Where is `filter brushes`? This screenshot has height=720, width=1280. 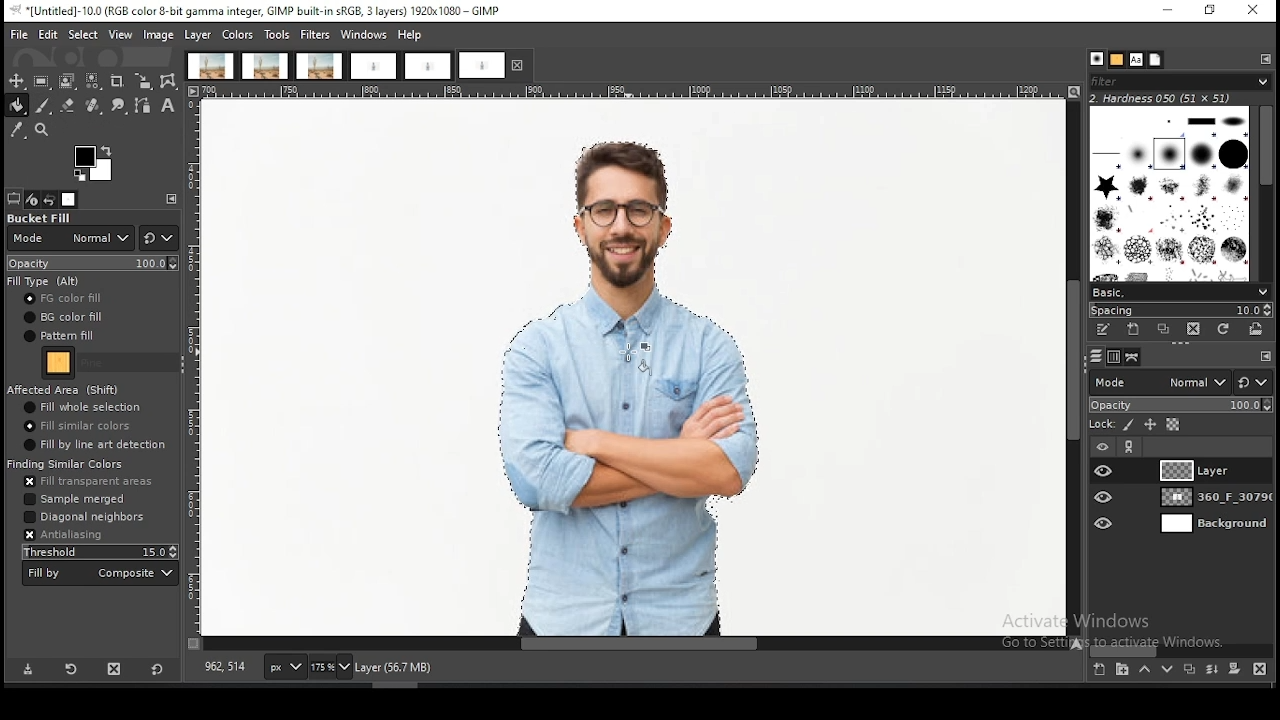 filter brushes is located at coordinates (1180, 82).